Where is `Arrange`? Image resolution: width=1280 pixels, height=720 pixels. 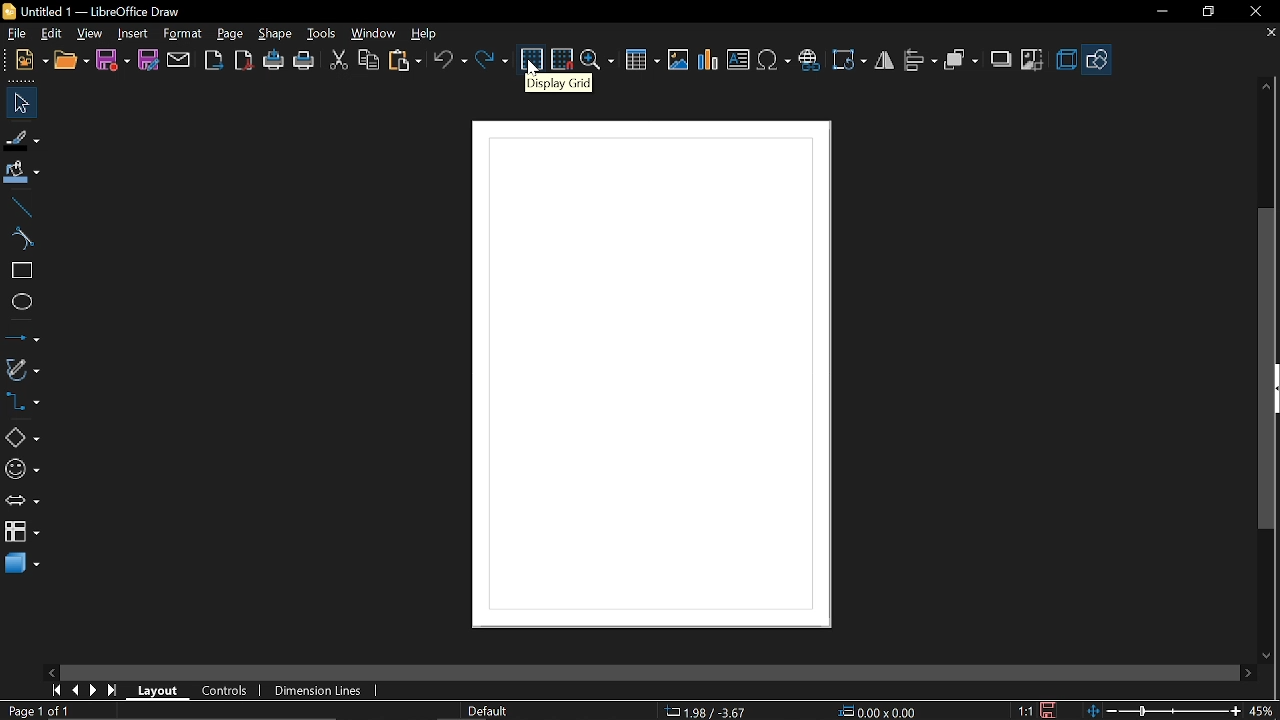 Arrange is located at coordinates (961, 61).